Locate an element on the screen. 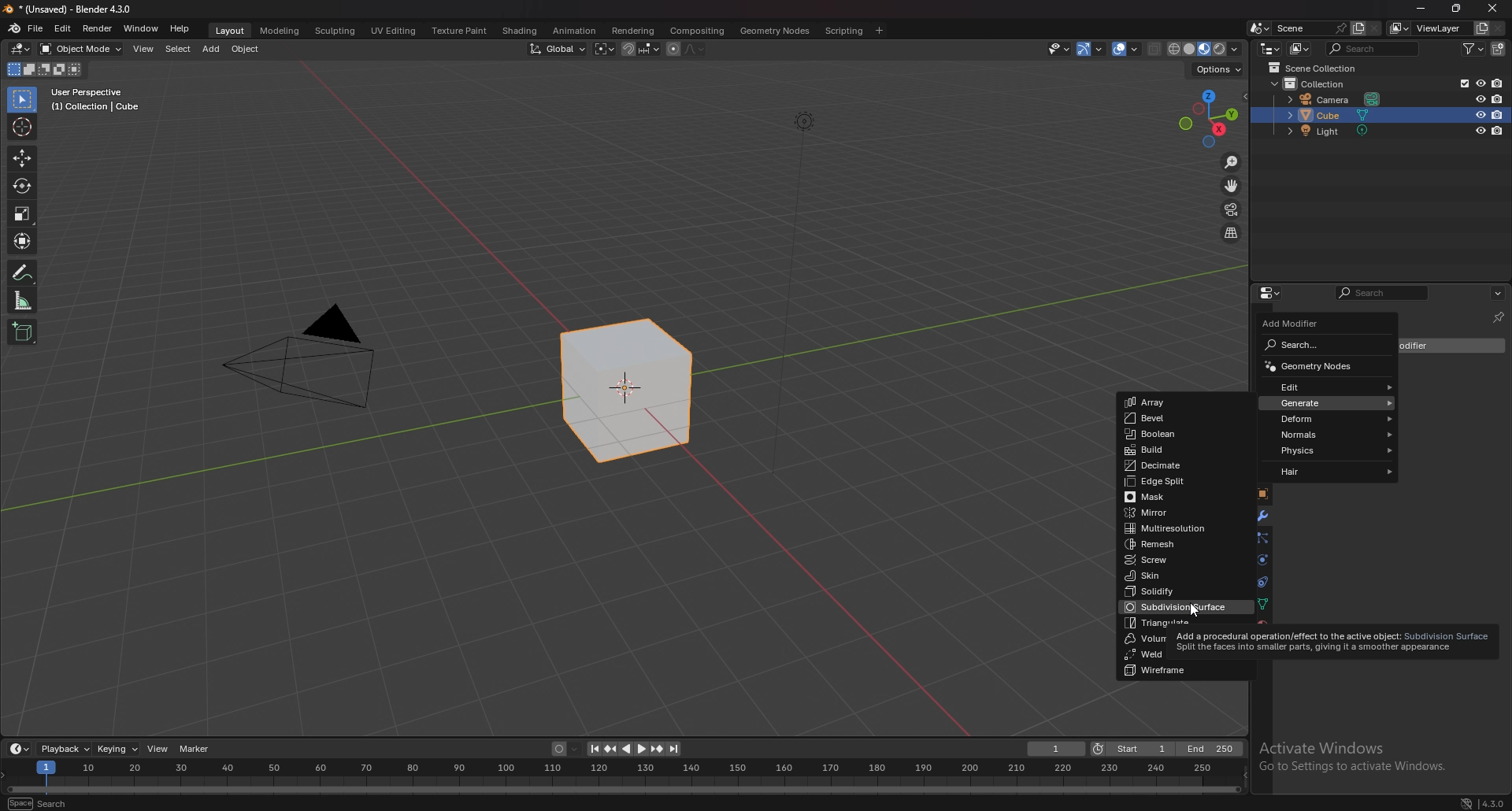 This screenshot has height=811, width=1512. edge split is located at coordinates (1178, 482).